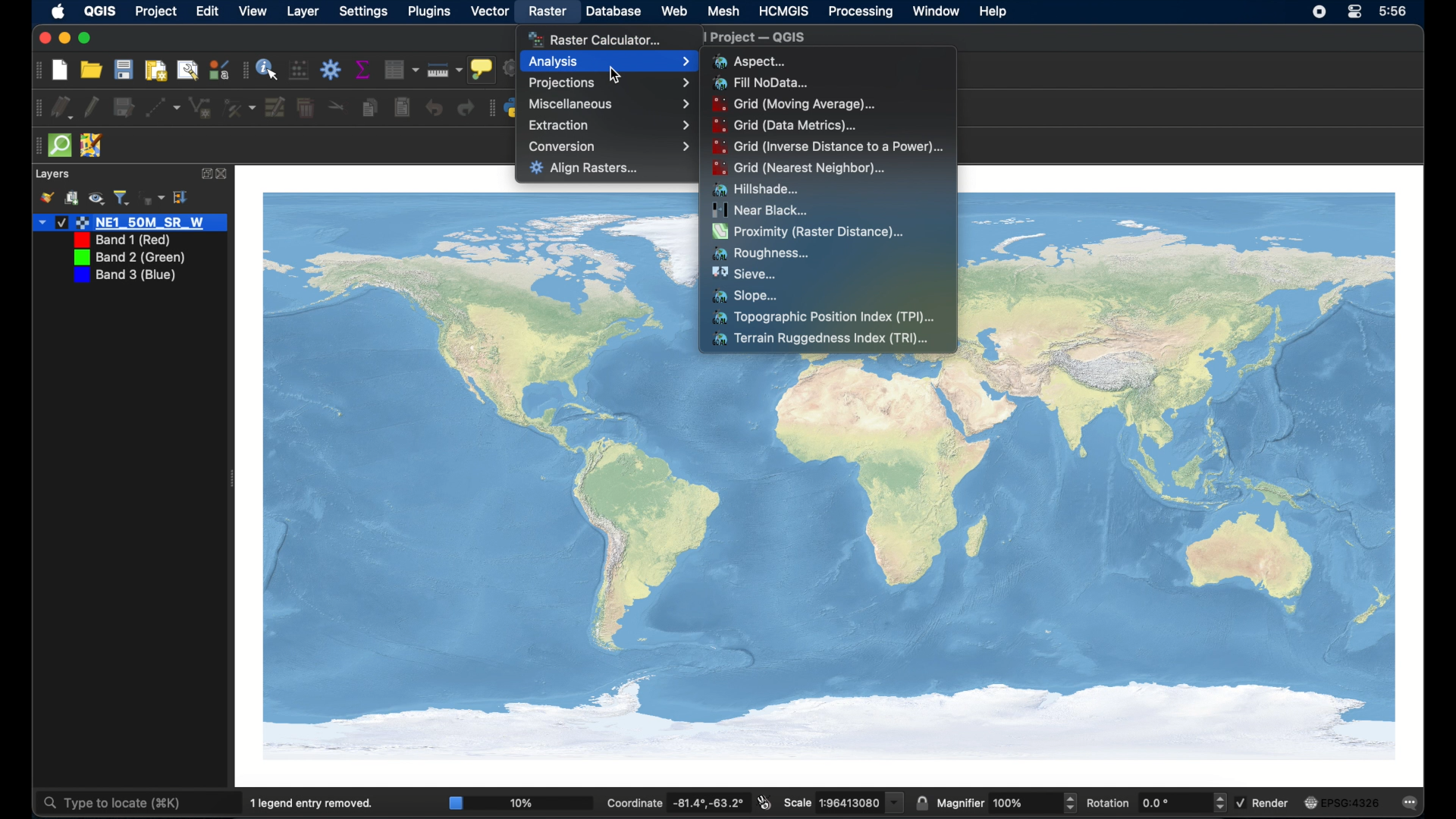  I want to click on cut, so click(337, 106).